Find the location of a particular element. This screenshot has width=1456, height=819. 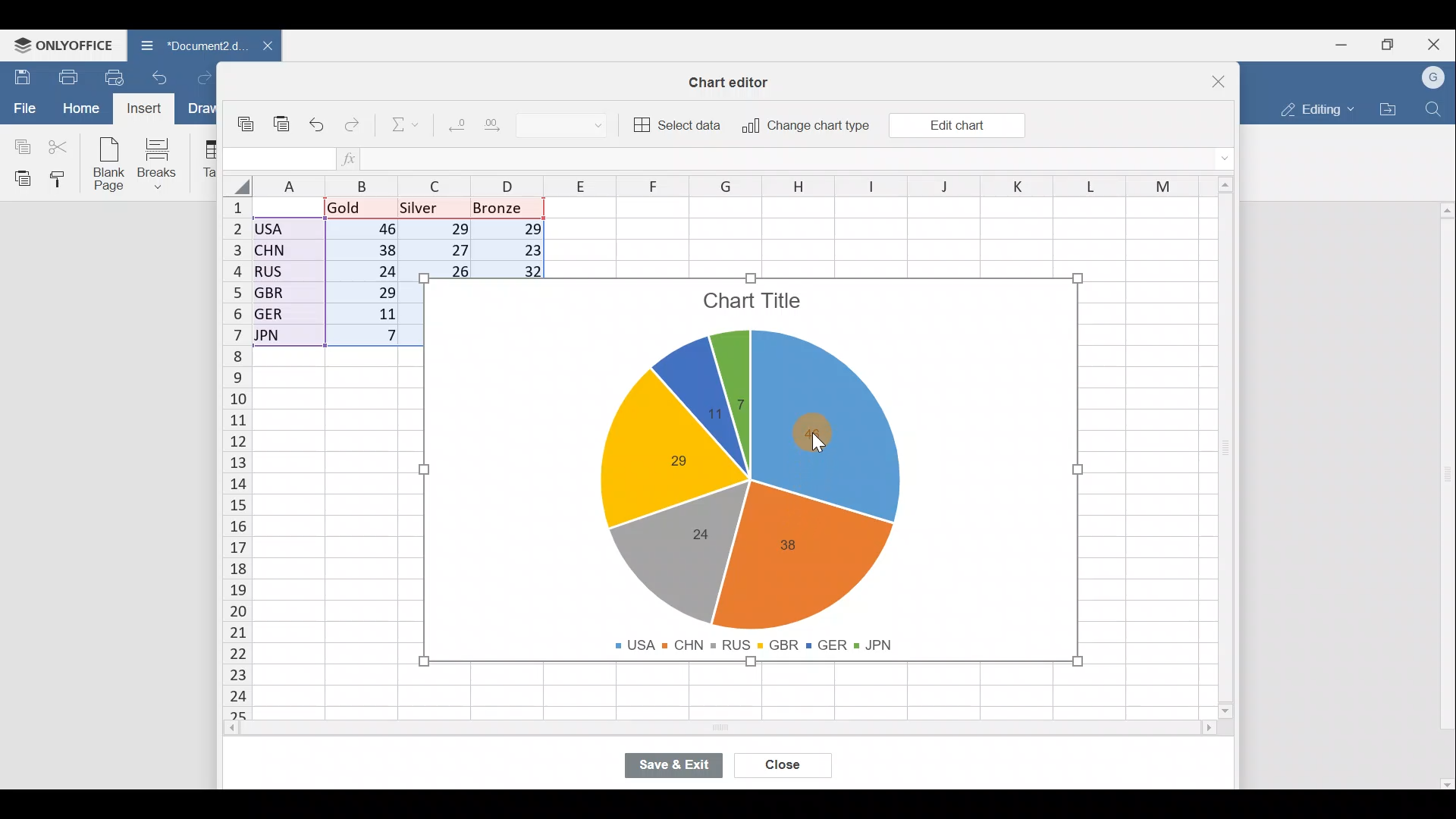

Breaks is located at coordinates (160, 165).